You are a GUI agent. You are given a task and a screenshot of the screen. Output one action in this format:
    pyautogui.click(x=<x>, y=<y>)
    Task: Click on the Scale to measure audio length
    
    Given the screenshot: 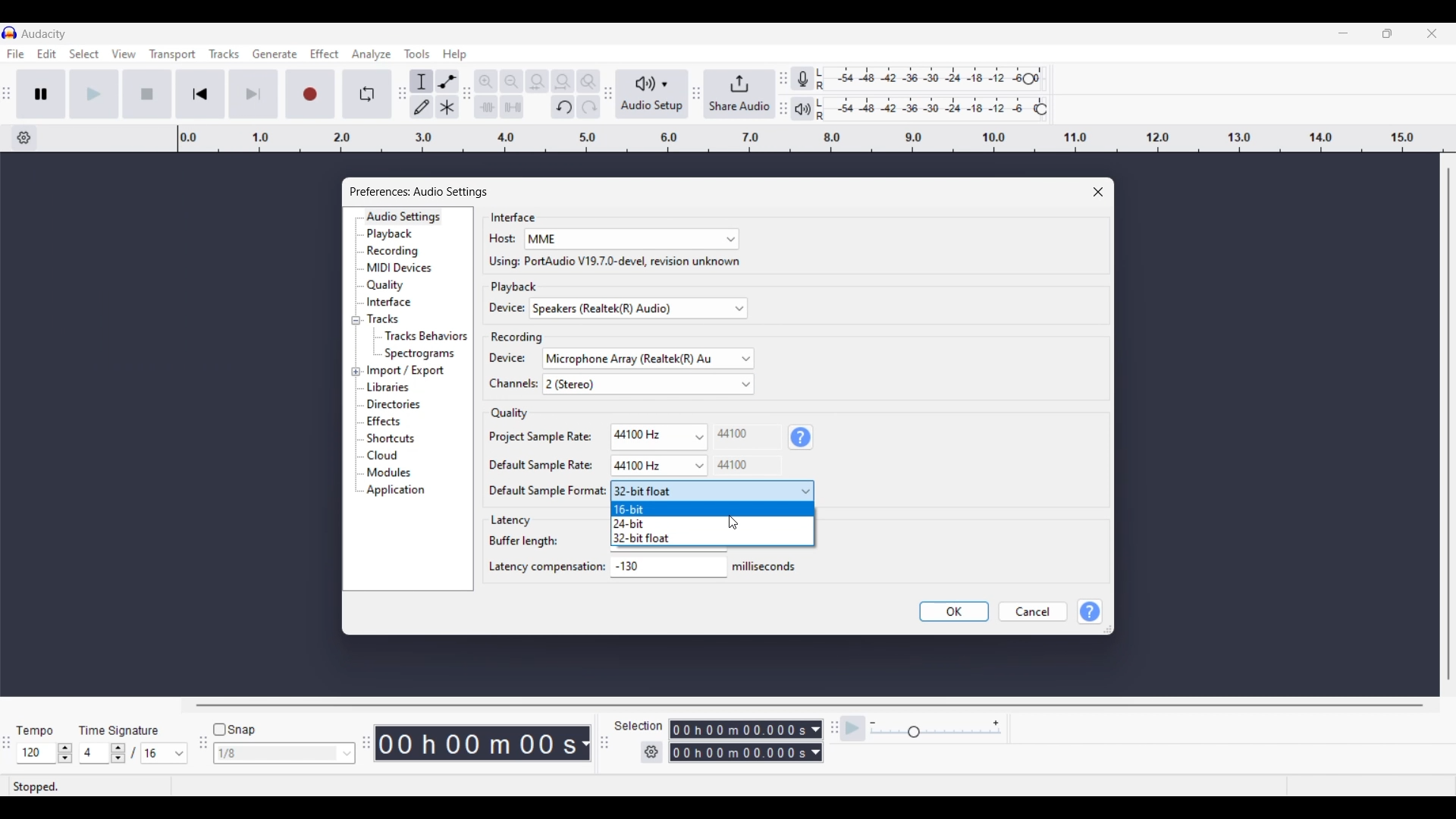 What is the action you would take?
    pyautogui.click(x=817, y=139)
    